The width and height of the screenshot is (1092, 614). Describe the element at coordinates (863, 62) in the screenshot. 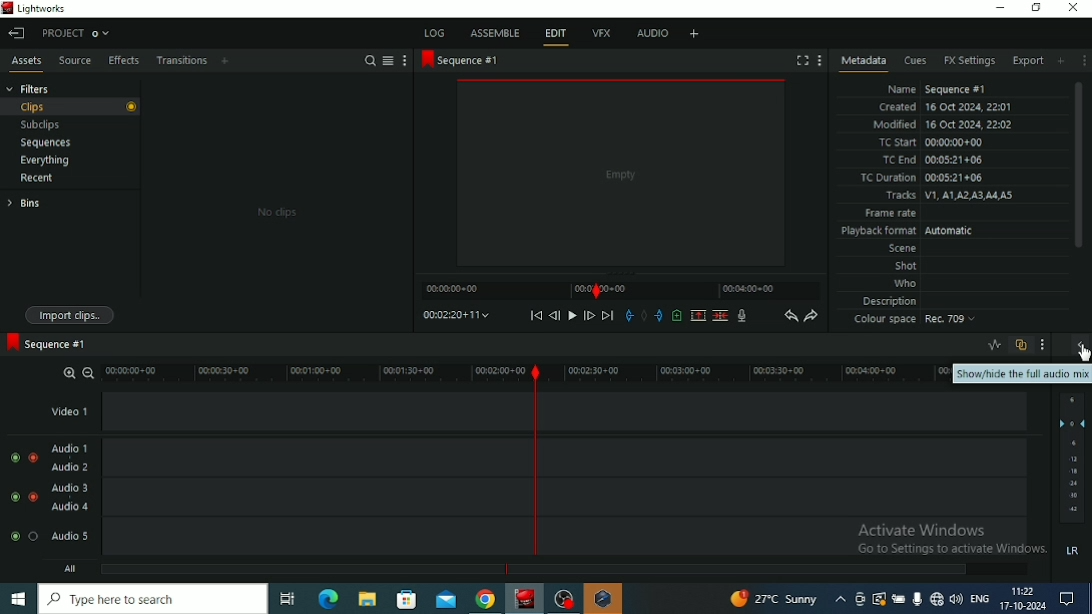

I see `Metadata` at that location.